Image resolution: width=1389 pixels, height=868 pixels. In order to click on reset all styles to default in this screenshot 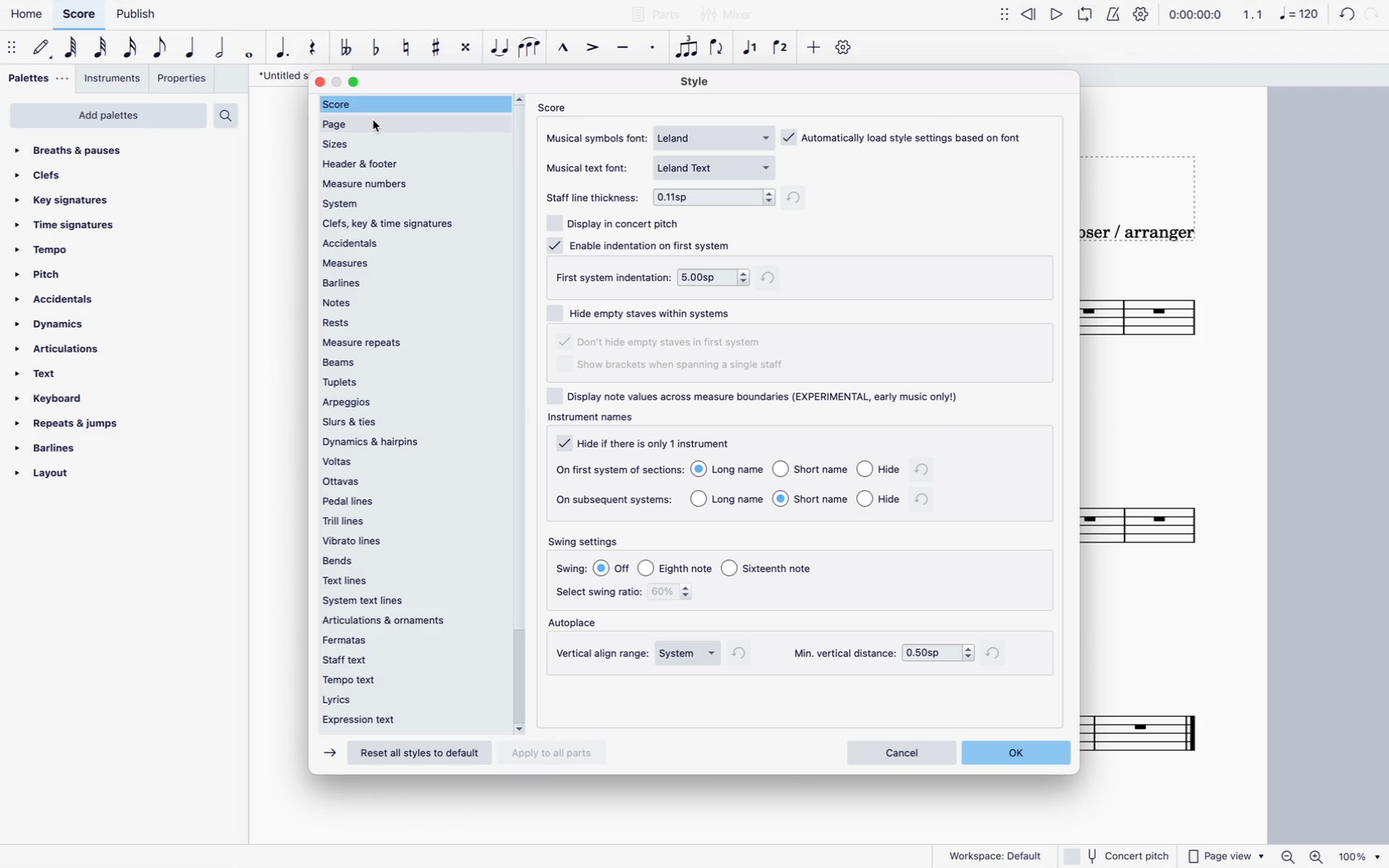, I will do `click(418, 755)`.